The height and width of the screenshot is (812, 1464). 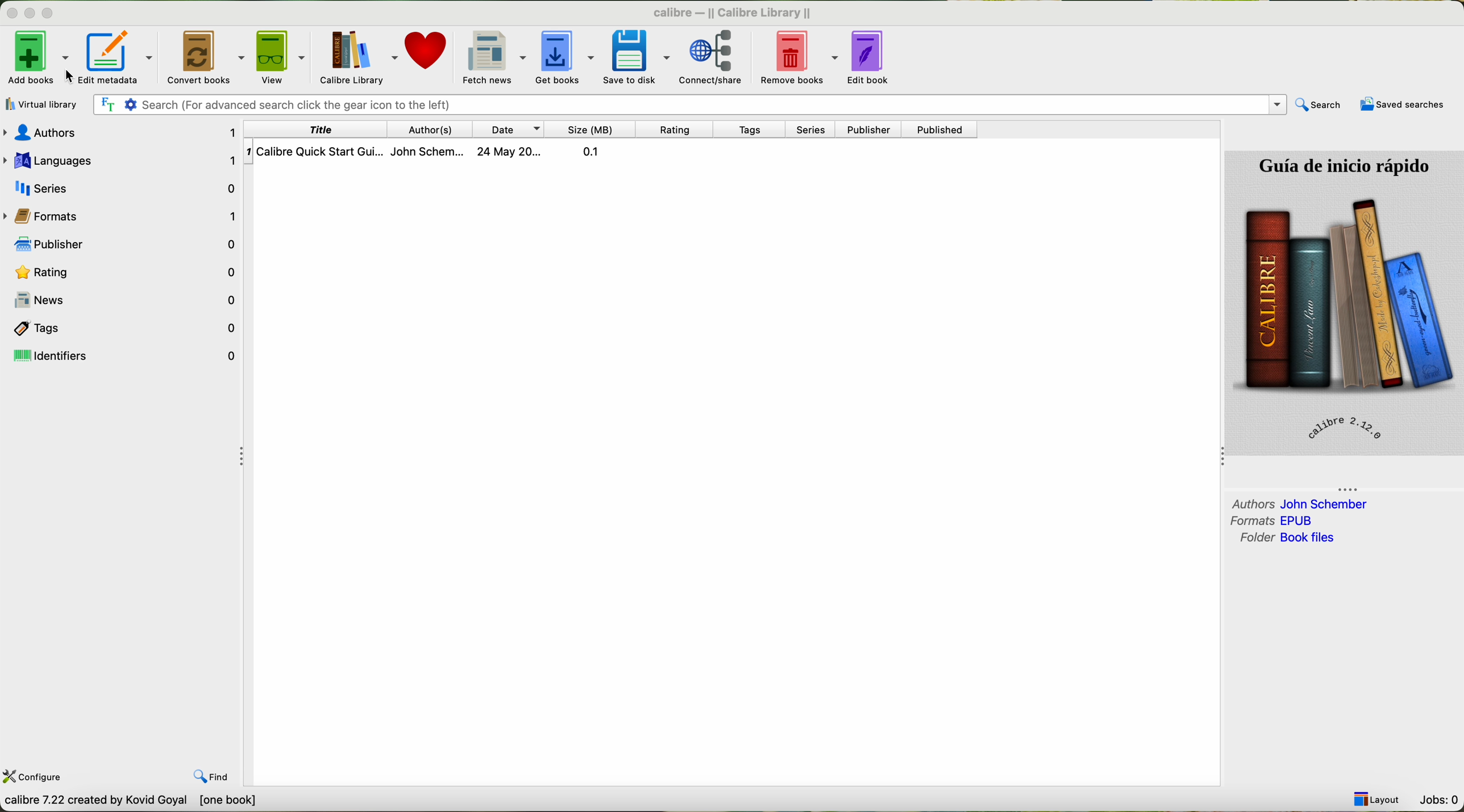 I want to click on authors, so click(x=428, y=128).